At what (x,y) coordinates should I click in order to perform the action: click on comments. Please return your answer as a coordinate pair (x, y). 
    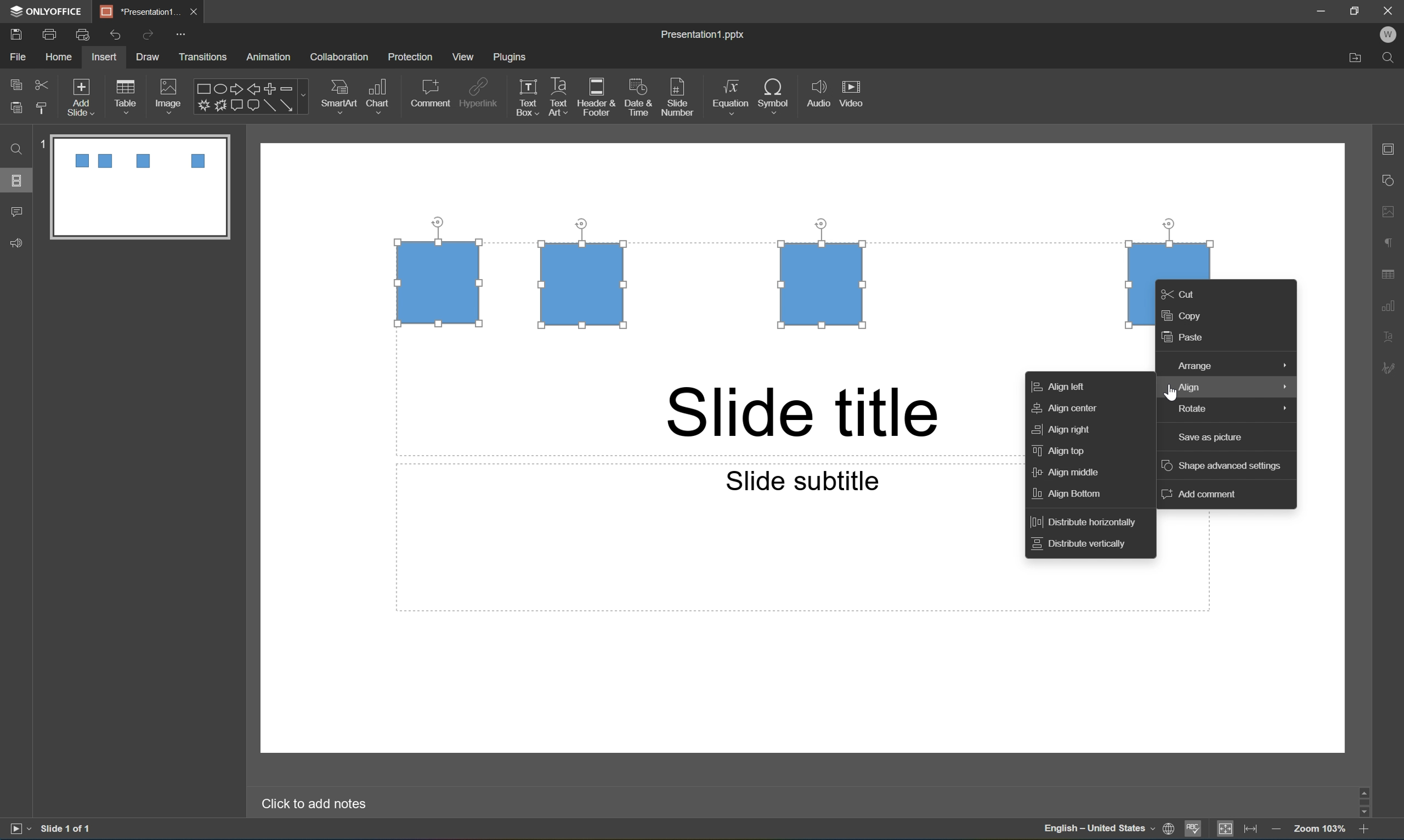
    Looking at the image, I should click on (16, 212).